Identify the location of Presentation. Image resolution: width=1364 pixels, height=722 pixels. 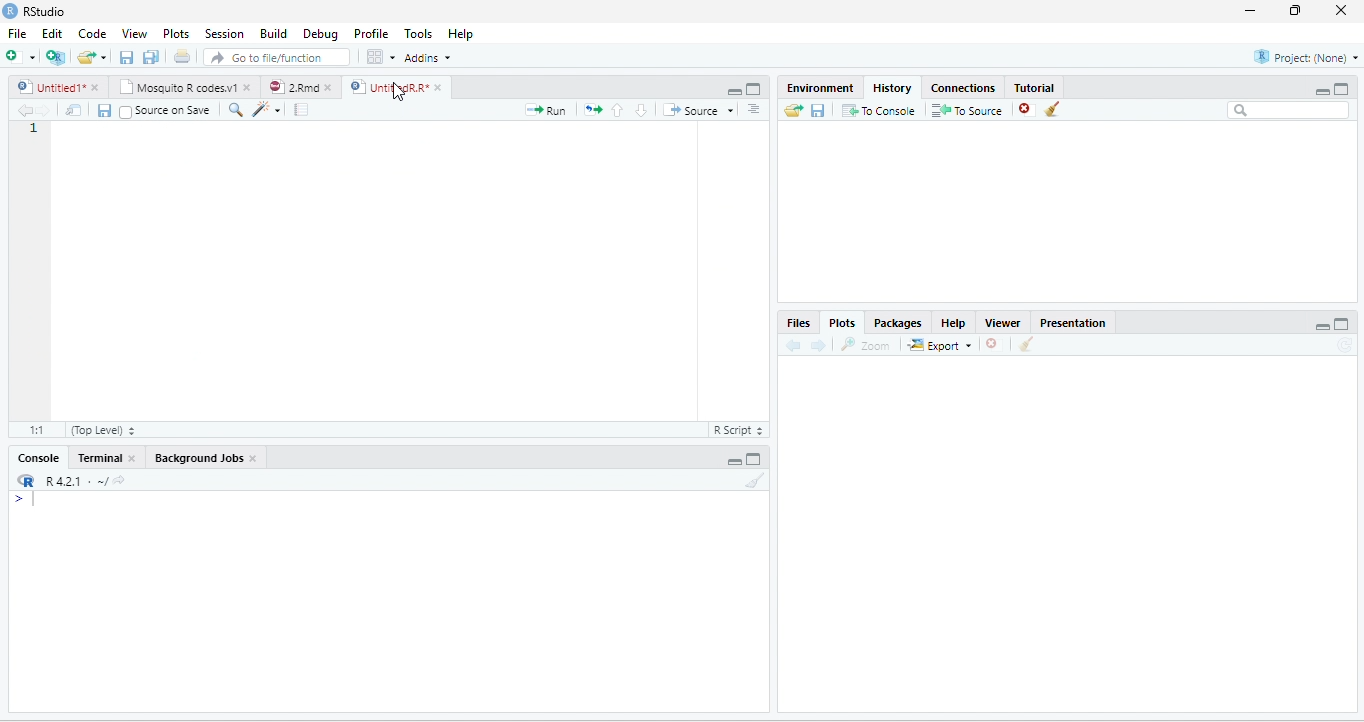
(1073, 322).